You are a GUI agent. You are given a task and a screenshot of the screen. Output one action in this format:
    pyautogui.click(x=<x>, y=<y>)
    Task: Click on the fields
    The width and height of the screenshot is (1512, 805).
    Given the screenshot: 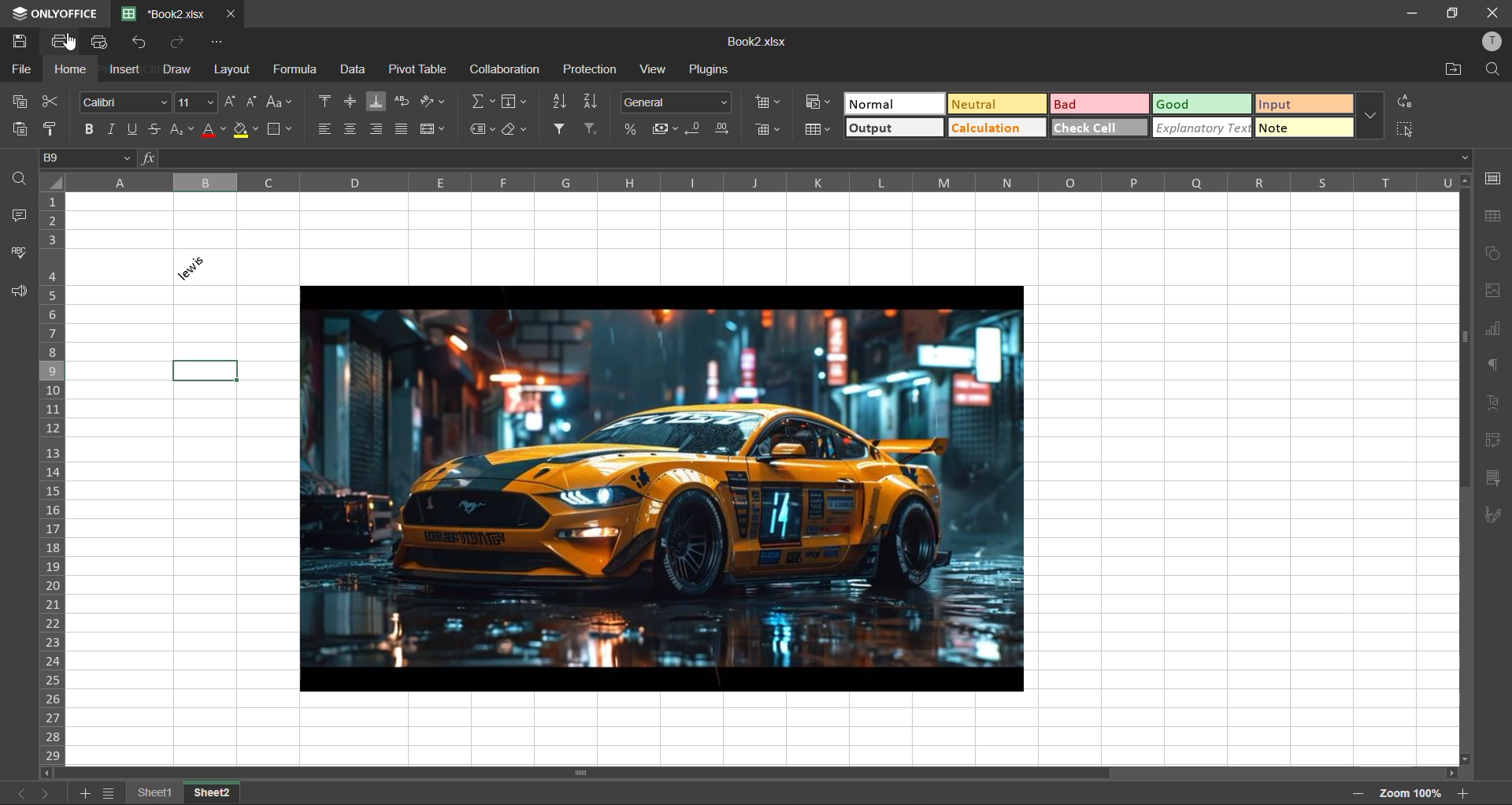 What is the action you would take?
    pyautogui.click(x=516, y=102)
    